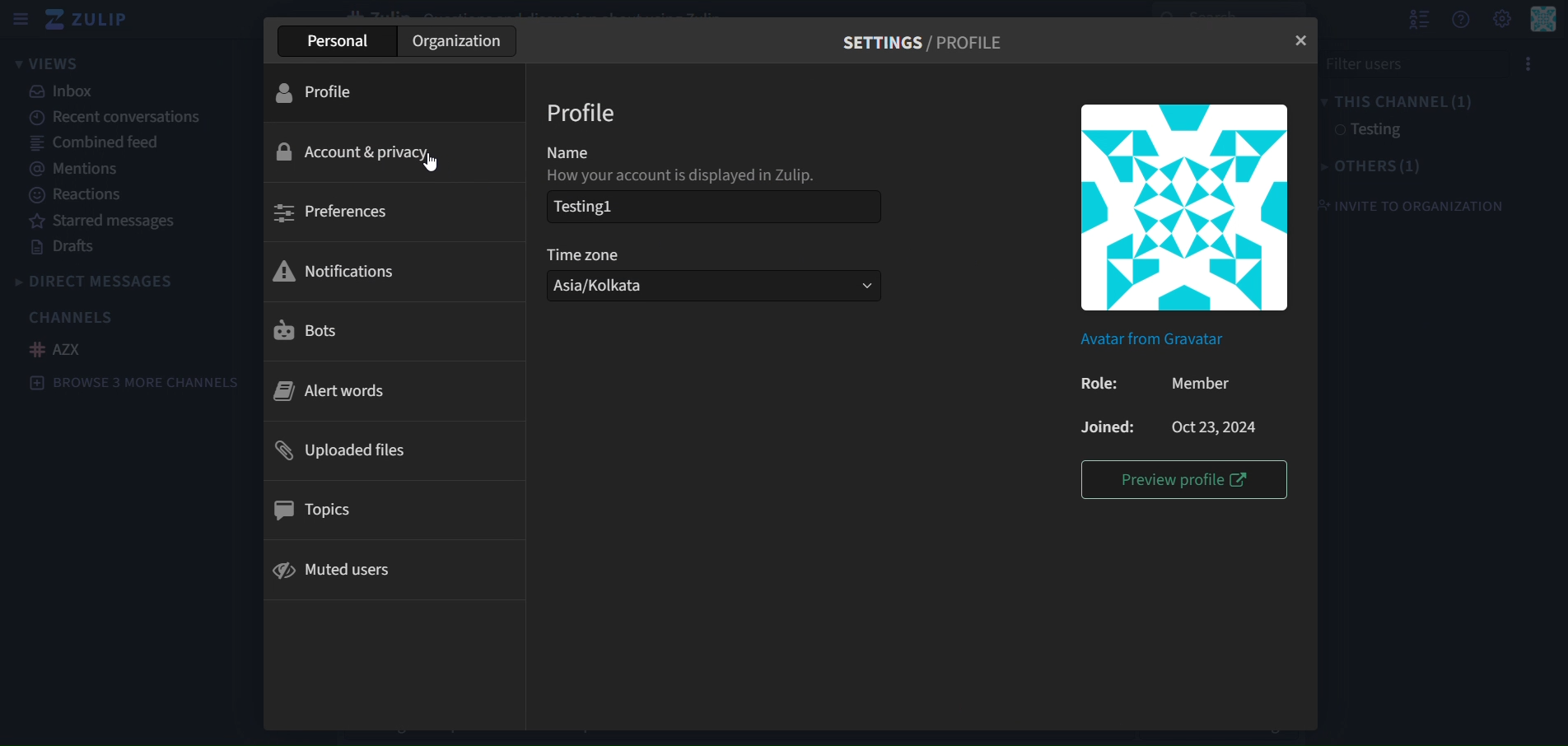 The height and width of the screenshot is (746, 1568). I want to click on notifications, so click(339, 271).